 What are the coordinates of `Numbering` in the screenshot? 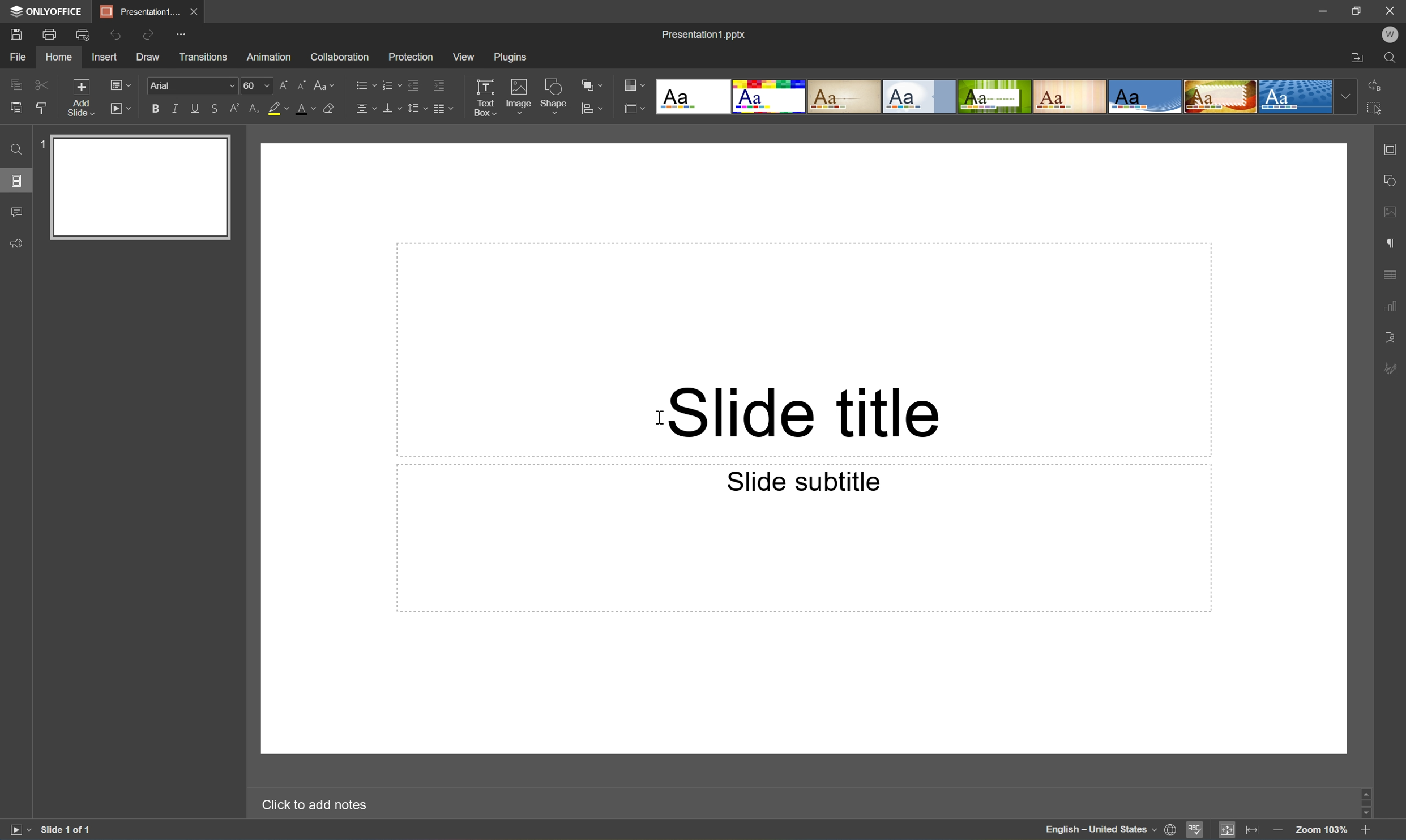 It's located at (392, 84).